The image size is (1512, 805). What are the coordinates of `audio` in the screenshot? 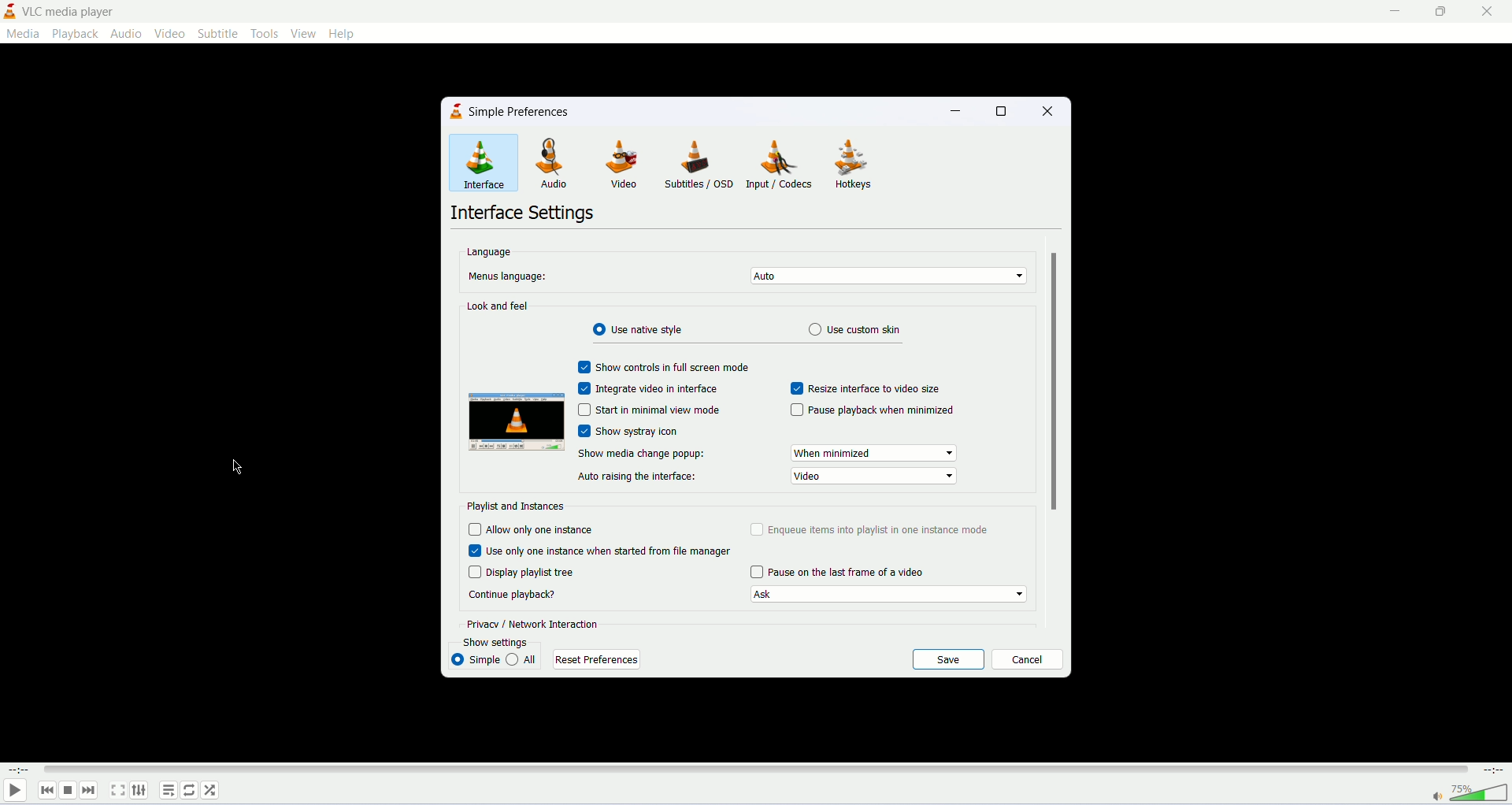 It's located at (125, 33).